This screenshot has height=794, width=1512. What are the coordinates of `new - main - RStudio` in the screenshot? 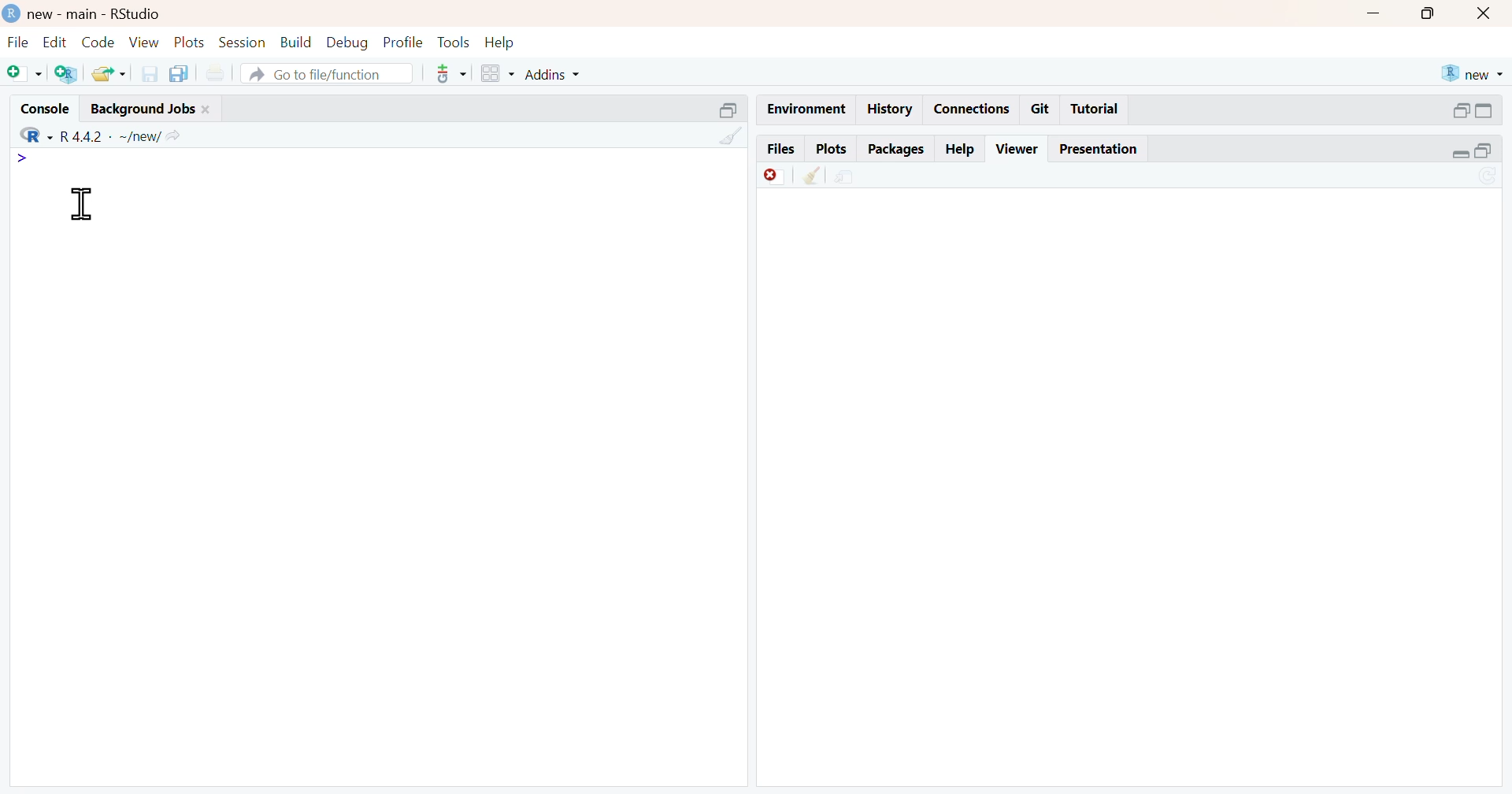 It's located at (83, 14).